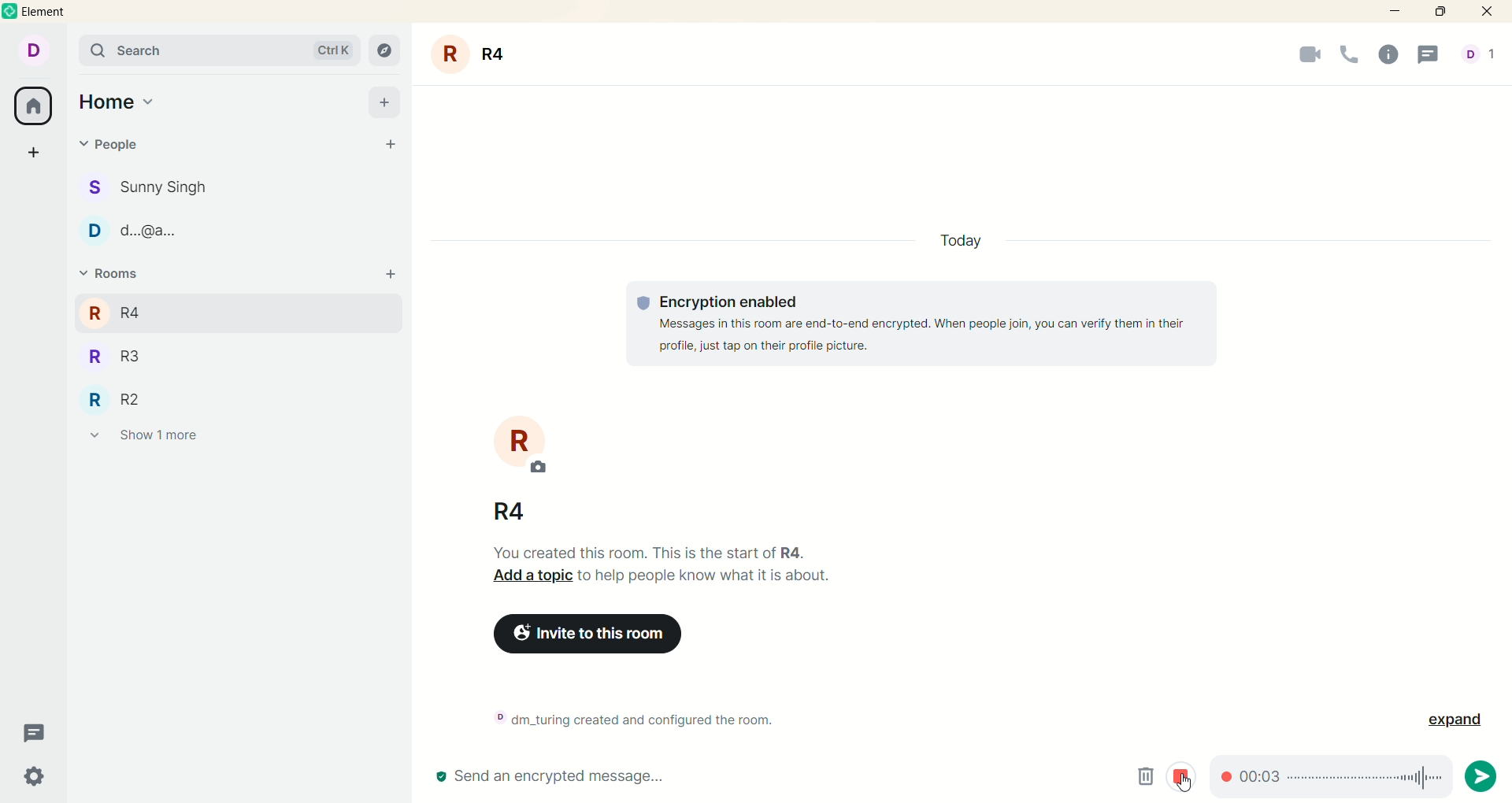 Image resolution: width=1512 pixels, height=803 pixels. Describe the element at coordinates (1482, 774) in the screenshot. I see `send` at that location.